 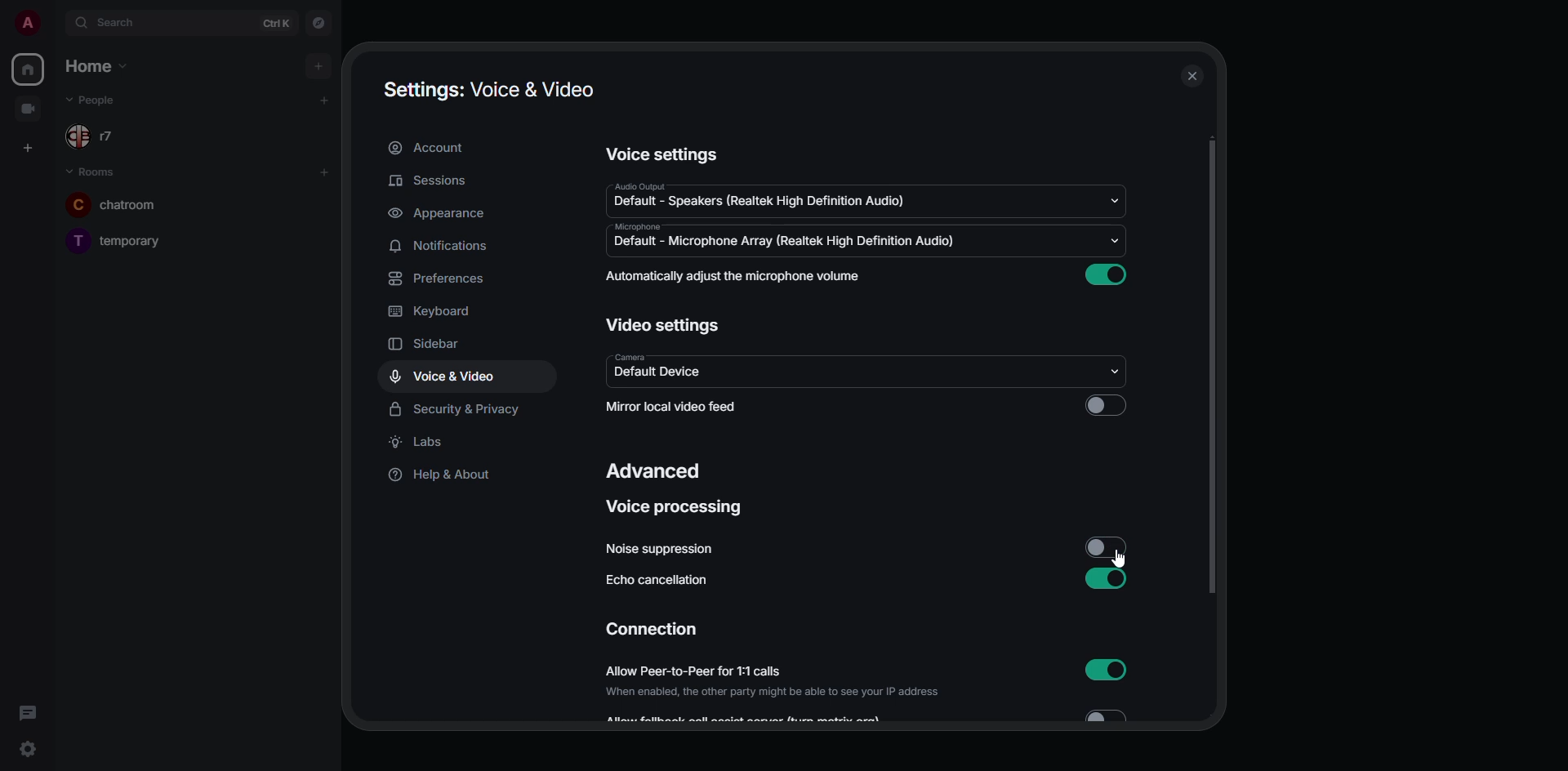 What do you see at coordinates (736, 277) in the screenshot?
I see `automatically adjust mic volume` at bounding box center [736, 277].